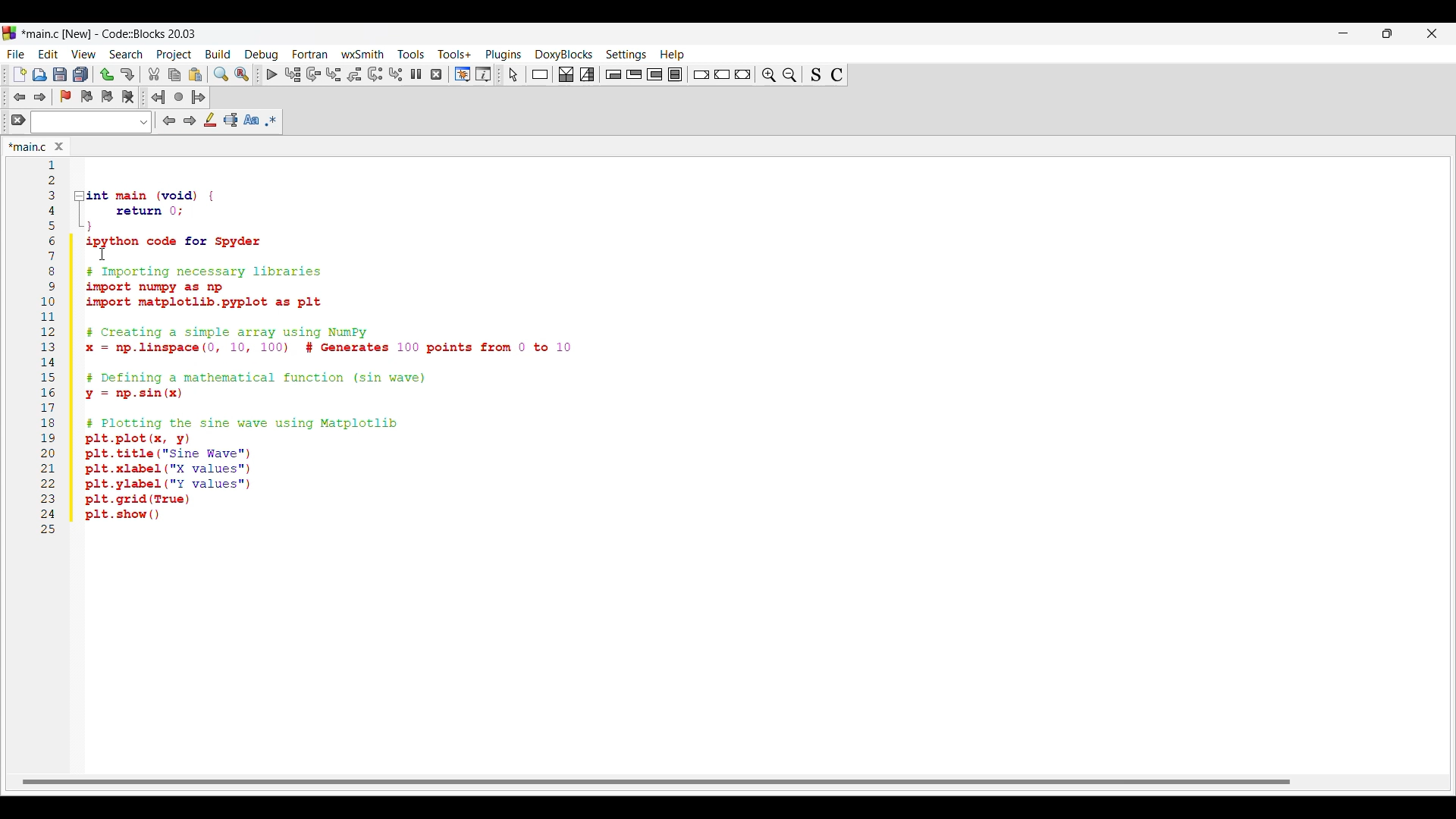 The width and height of the screenshot is (1456, 819). Describe the element at coordinates (158, 97) in the screenshot. I see `Jump back` at that location.